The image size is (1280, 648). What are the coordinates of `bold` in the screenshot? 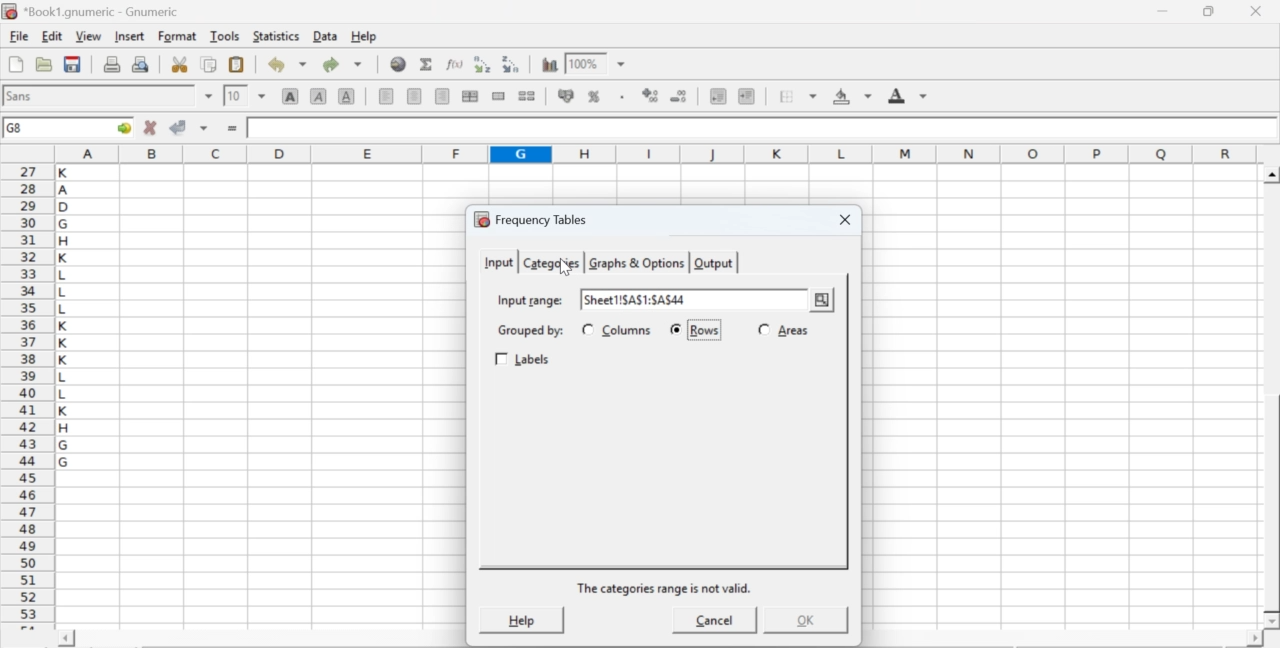 It's located at (291, 95).